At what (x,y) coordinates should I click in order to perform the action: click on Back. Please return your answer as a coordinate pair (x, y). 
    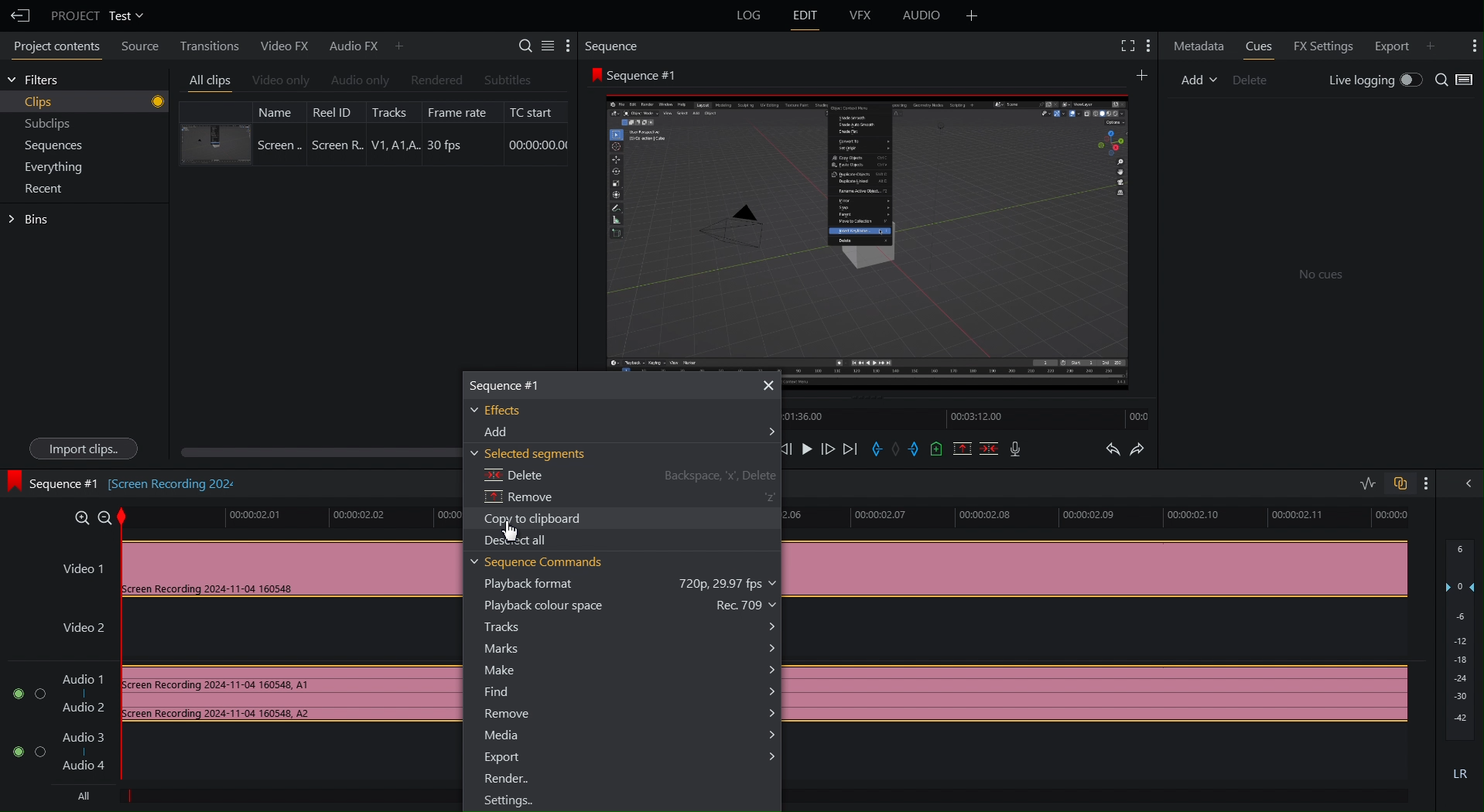
    Looking at the image, I should click on (19, 13).